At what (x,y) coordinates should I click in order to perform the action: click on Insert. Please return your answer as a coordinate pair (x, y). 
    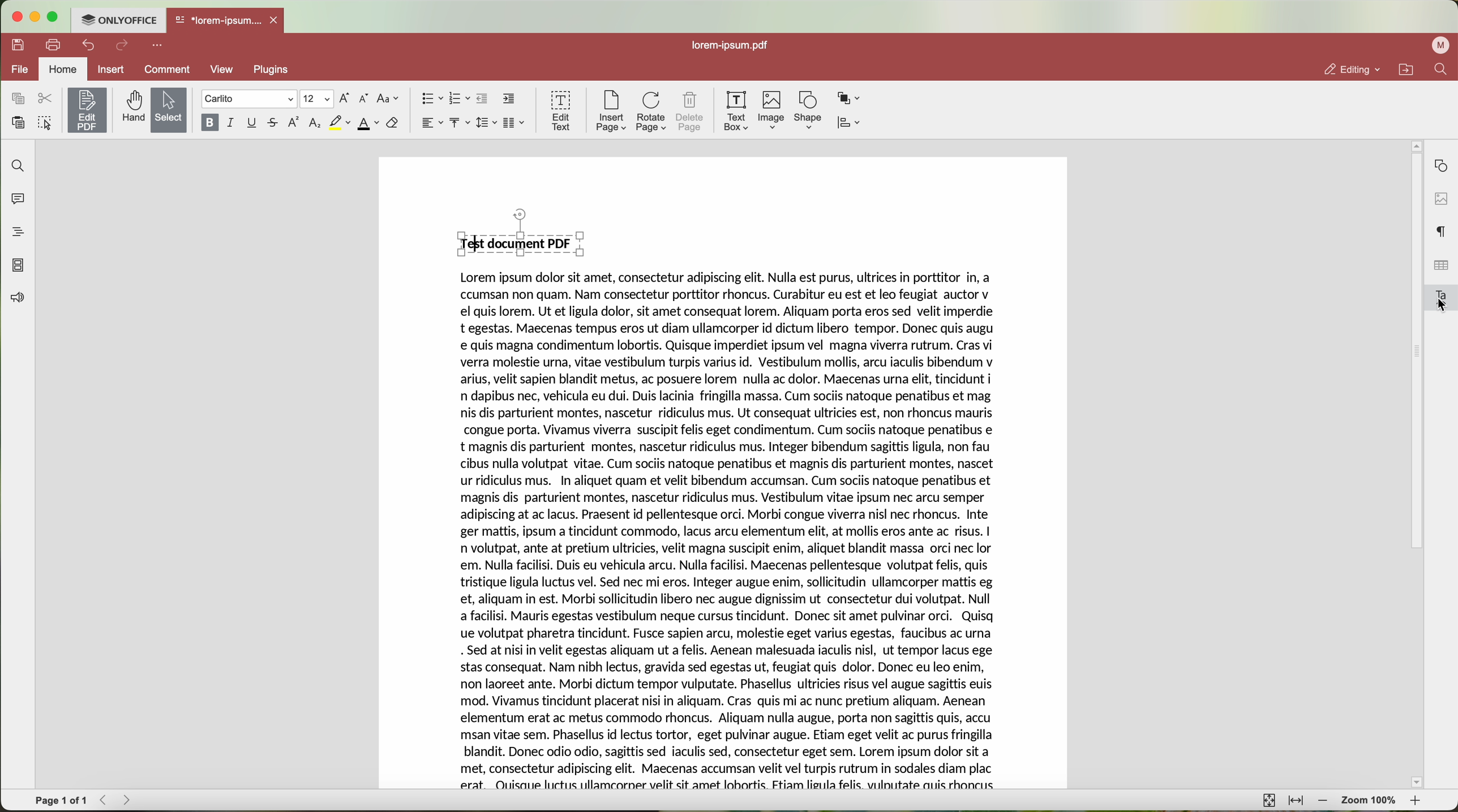
    Looking at the image, I should click on (111, 69).